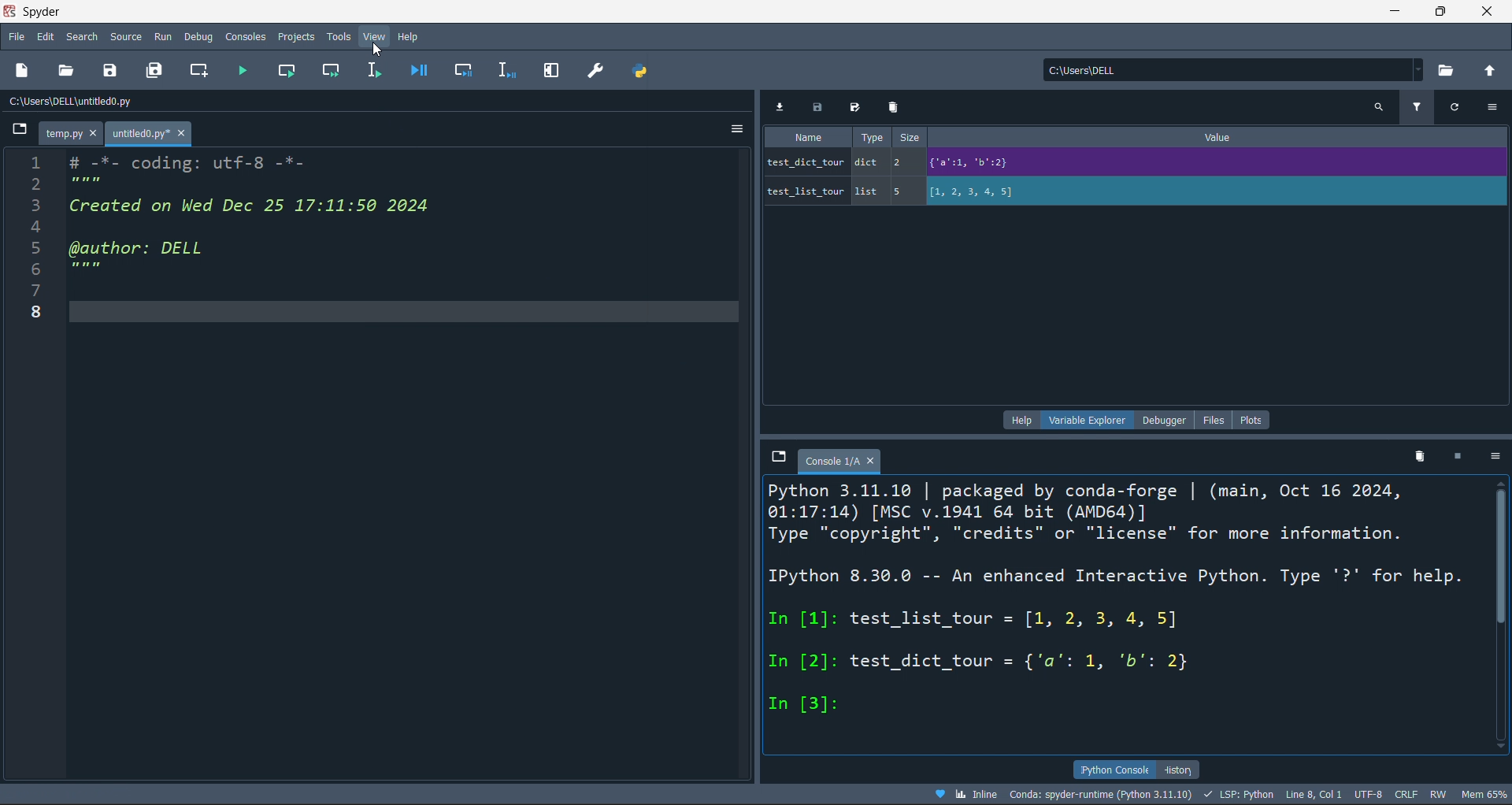 Image resolution: width=1512 pixels, height=805 pixels. I want to click on button, so click(18, 133).